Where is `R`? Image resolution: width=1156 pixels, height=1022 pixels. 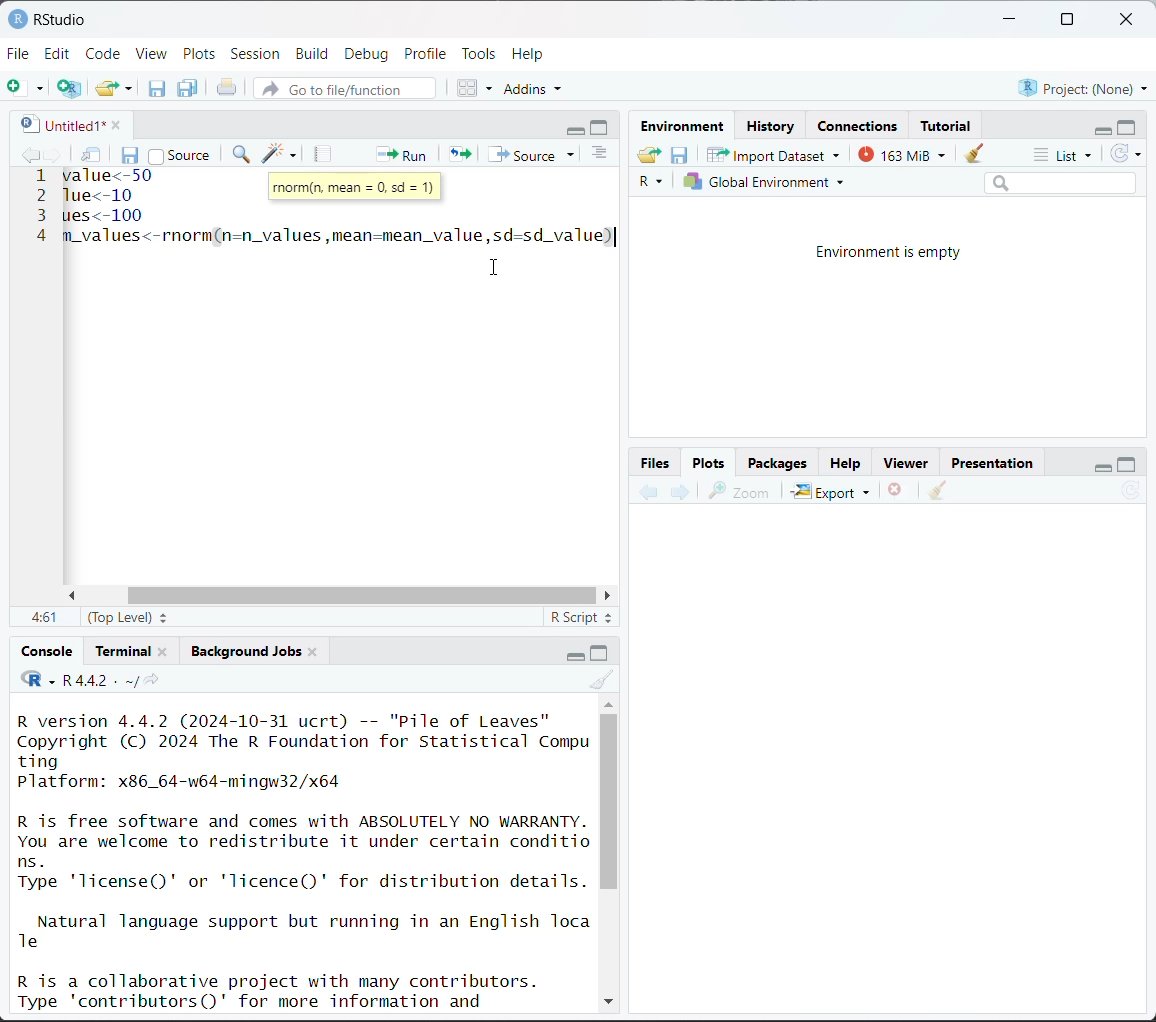 R is located at coordinates (654, 183).